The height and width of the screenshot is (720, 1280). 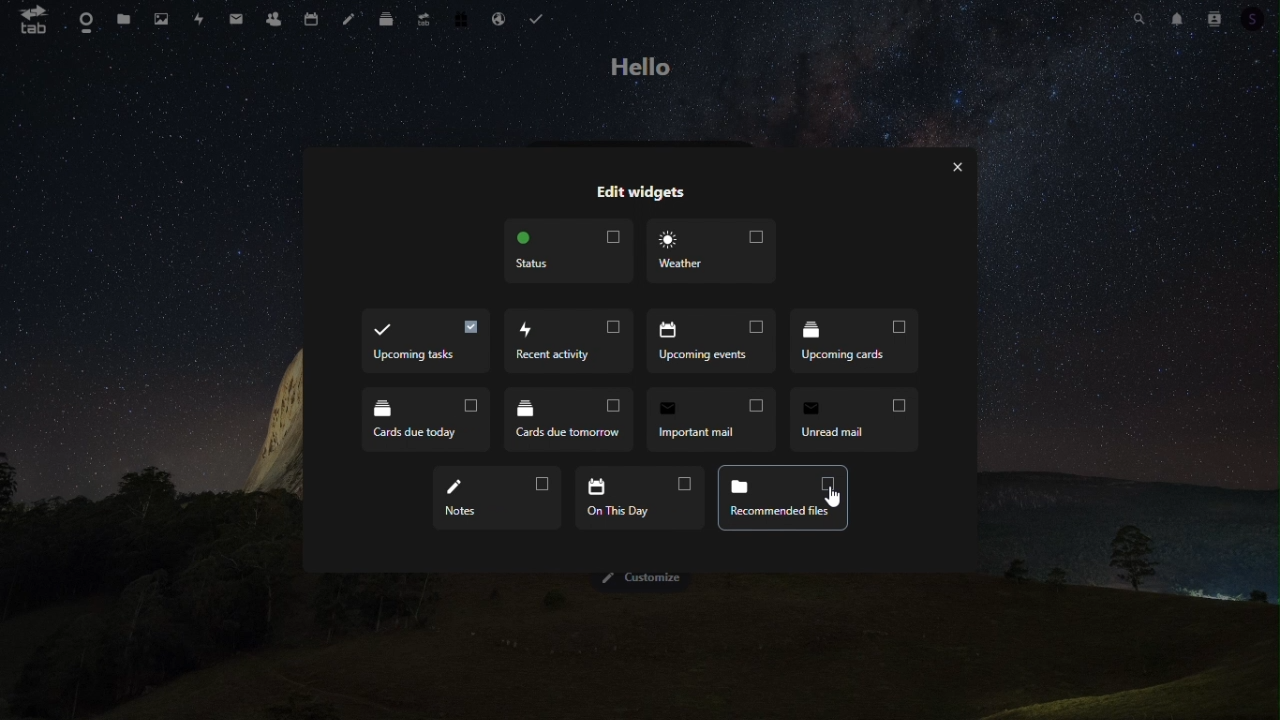 I want to click on mail, so click(x=235, y=20).